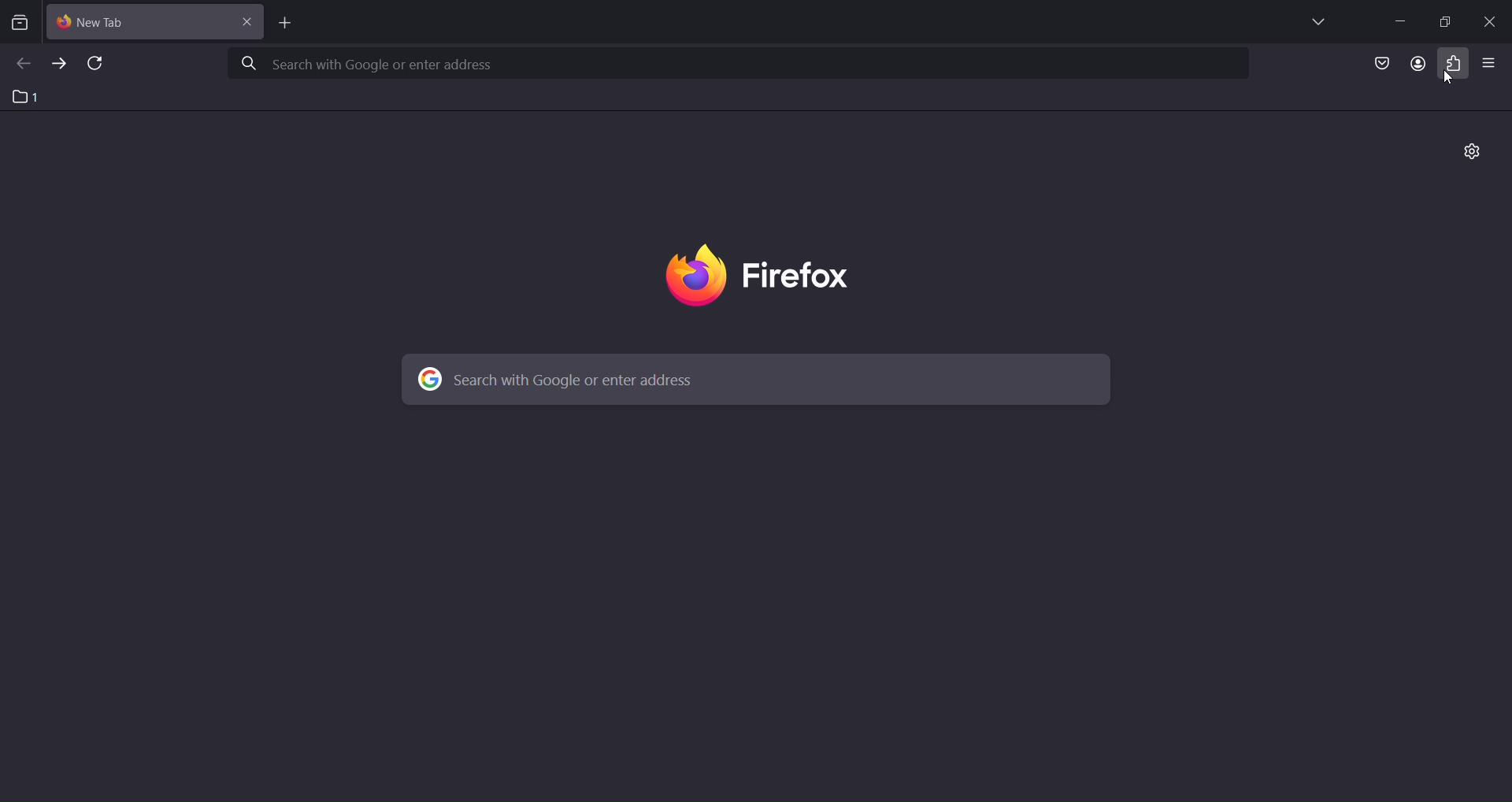 Image resolution: width=1512 pixels, height=802 pixels. Describe the element at coordinates (1490, 19) in the screenshot. I see `close` at that location.